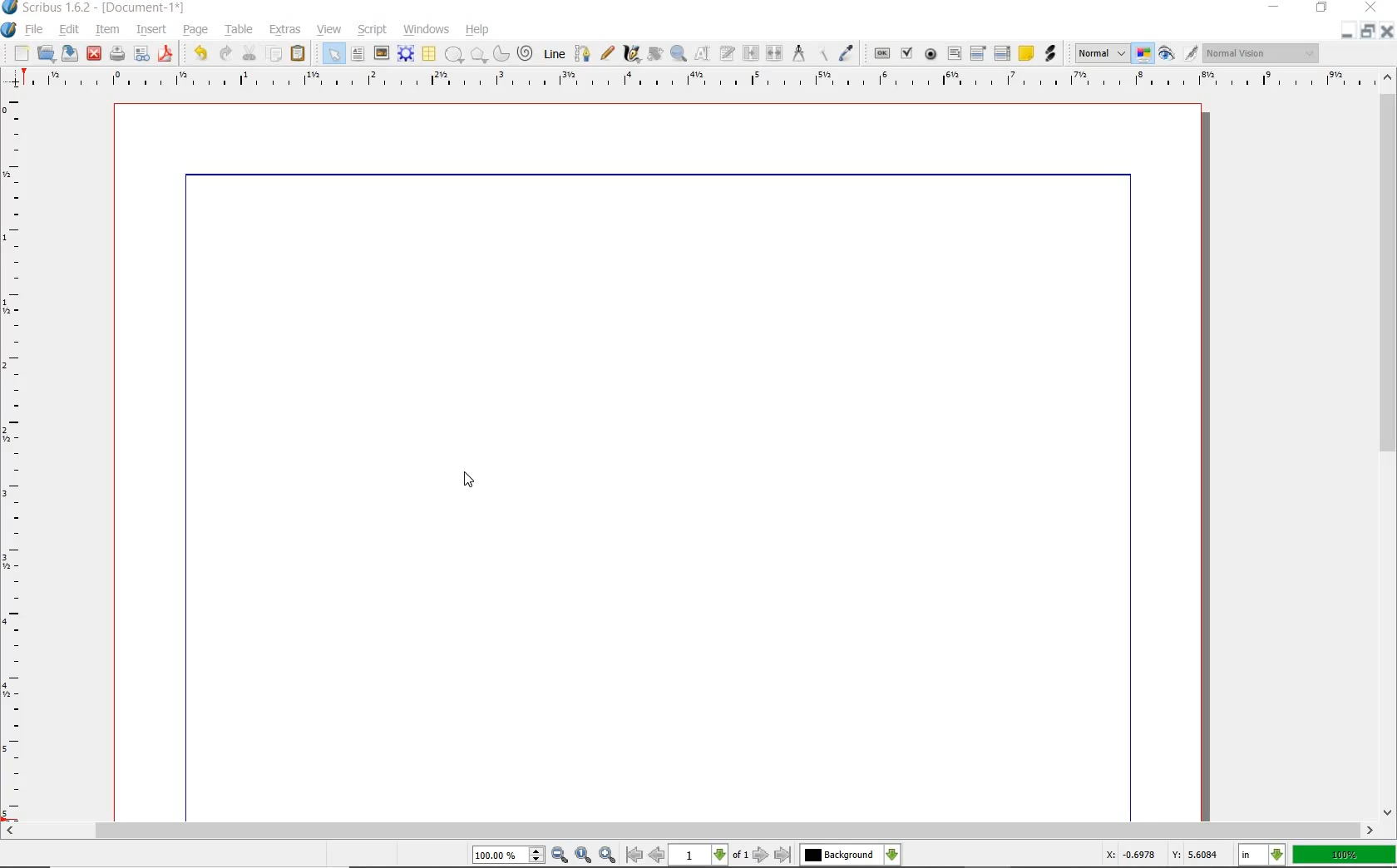 The image size is (1397, 868). What do you see at coordinates (631, 54) in the screenshot?
I see `CALLIGRAPHIC LINE` at bounding box center [631, 54].